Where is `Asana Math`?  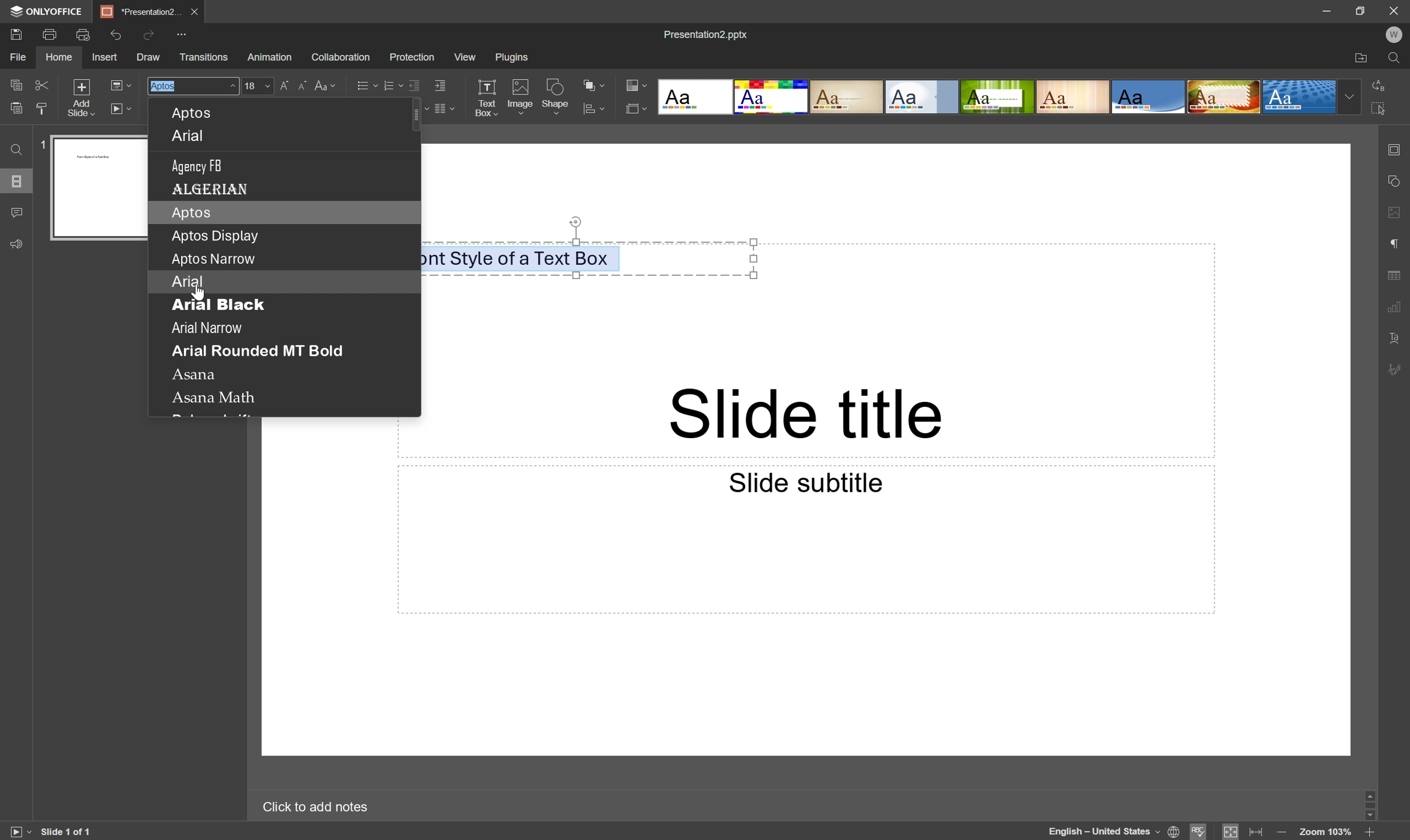
Asana Math is located at coordinates (216, 397).